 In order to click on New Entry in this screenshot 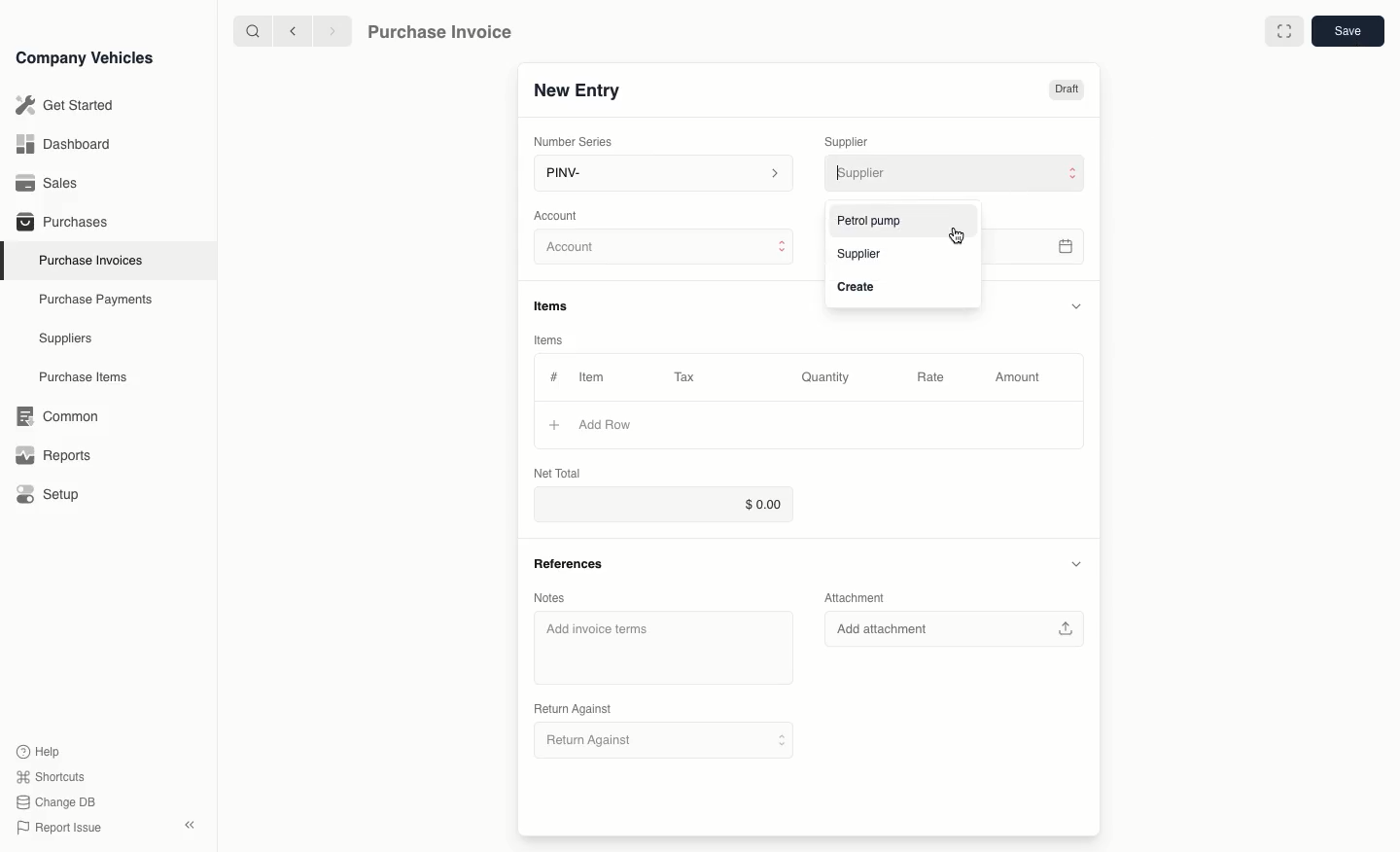, I will do `click(586, 89)`.